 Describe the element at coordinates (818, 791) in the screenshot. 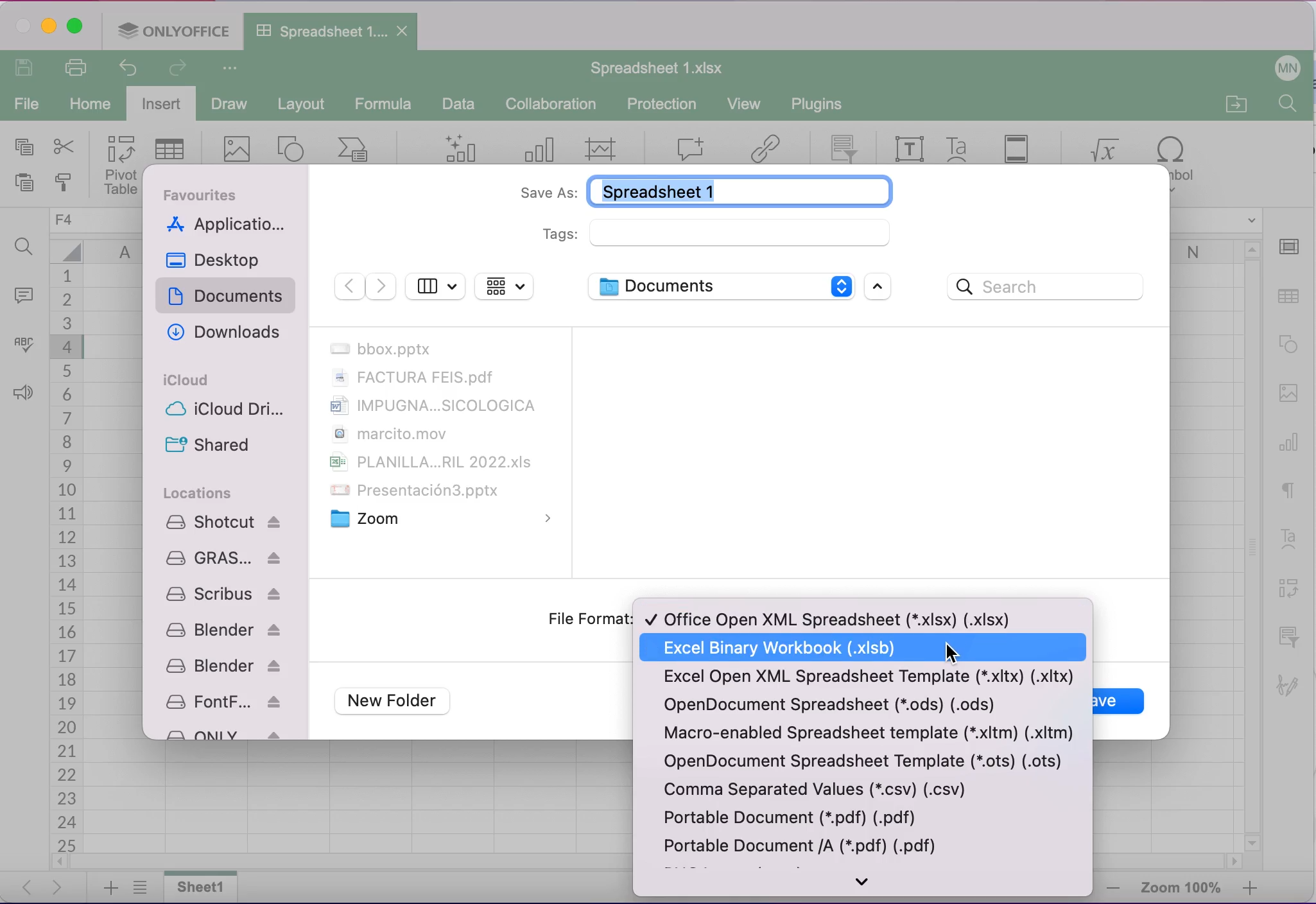

I see `comma separated values` at that location.